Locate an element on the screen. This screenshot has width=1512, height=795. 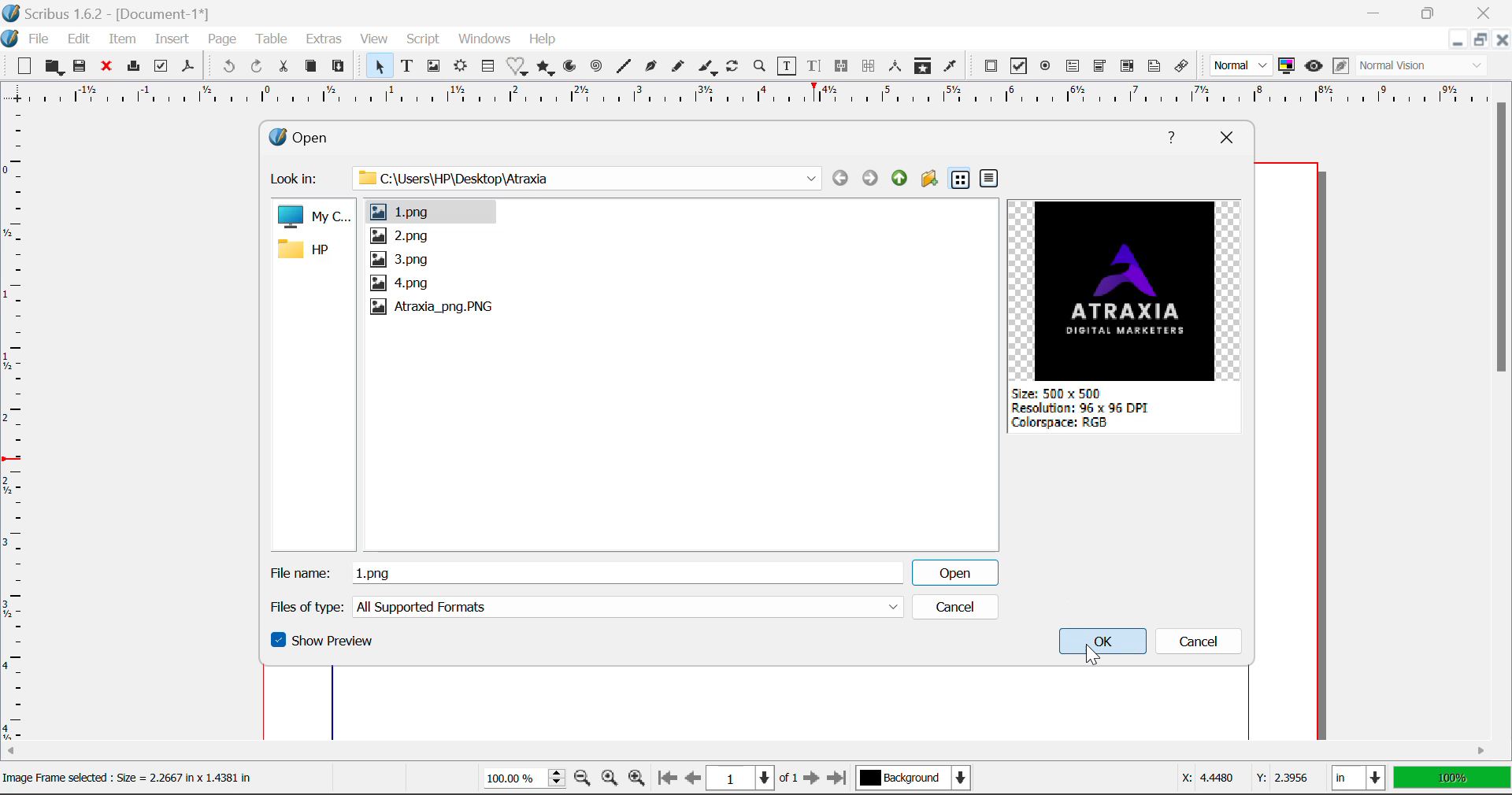
Close is located at coordinates (1225, 136).